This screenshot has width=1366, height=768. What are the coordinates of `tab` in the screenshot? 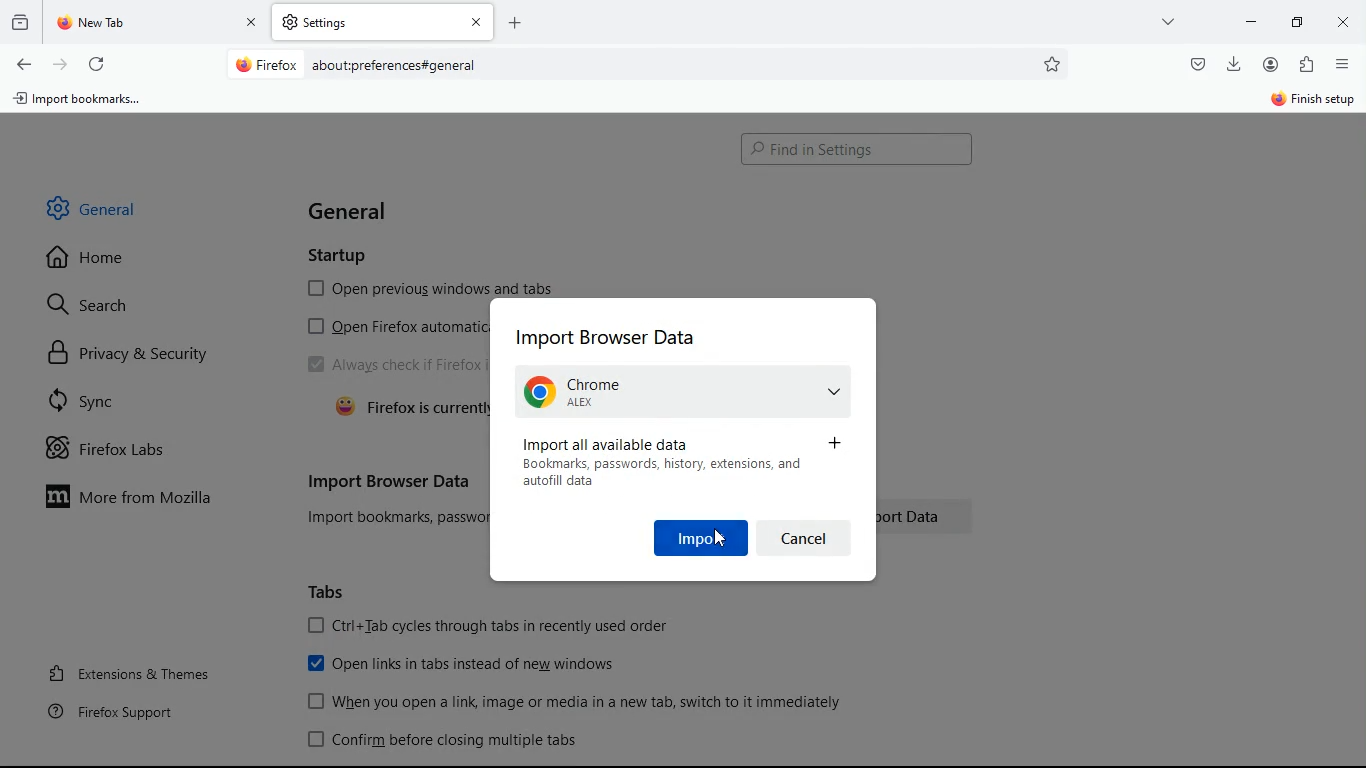 It's located at (160, 22).